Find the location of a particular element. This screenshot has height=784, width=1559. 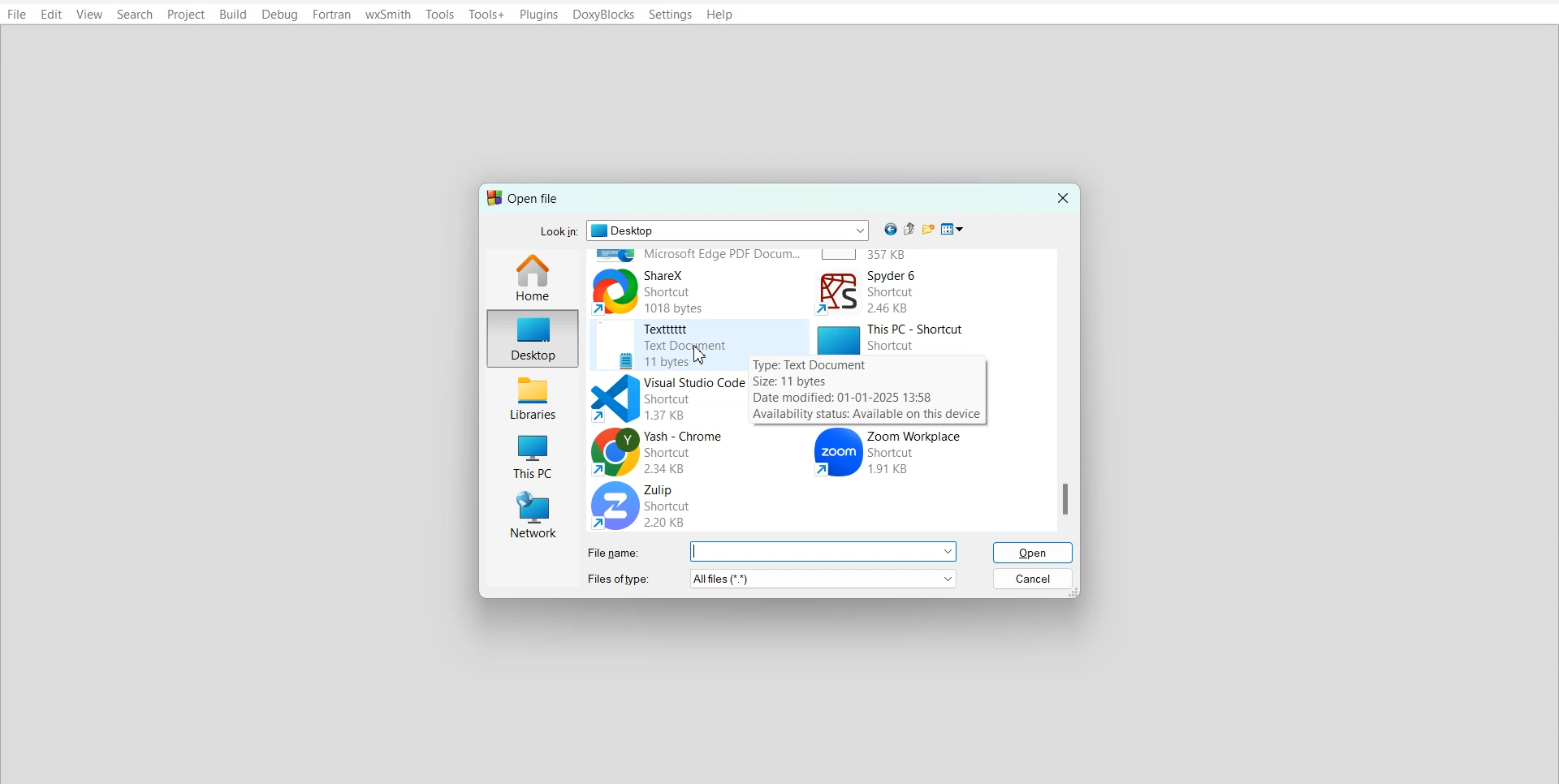

DoxyBlocks is located at coordinates (603, 15).